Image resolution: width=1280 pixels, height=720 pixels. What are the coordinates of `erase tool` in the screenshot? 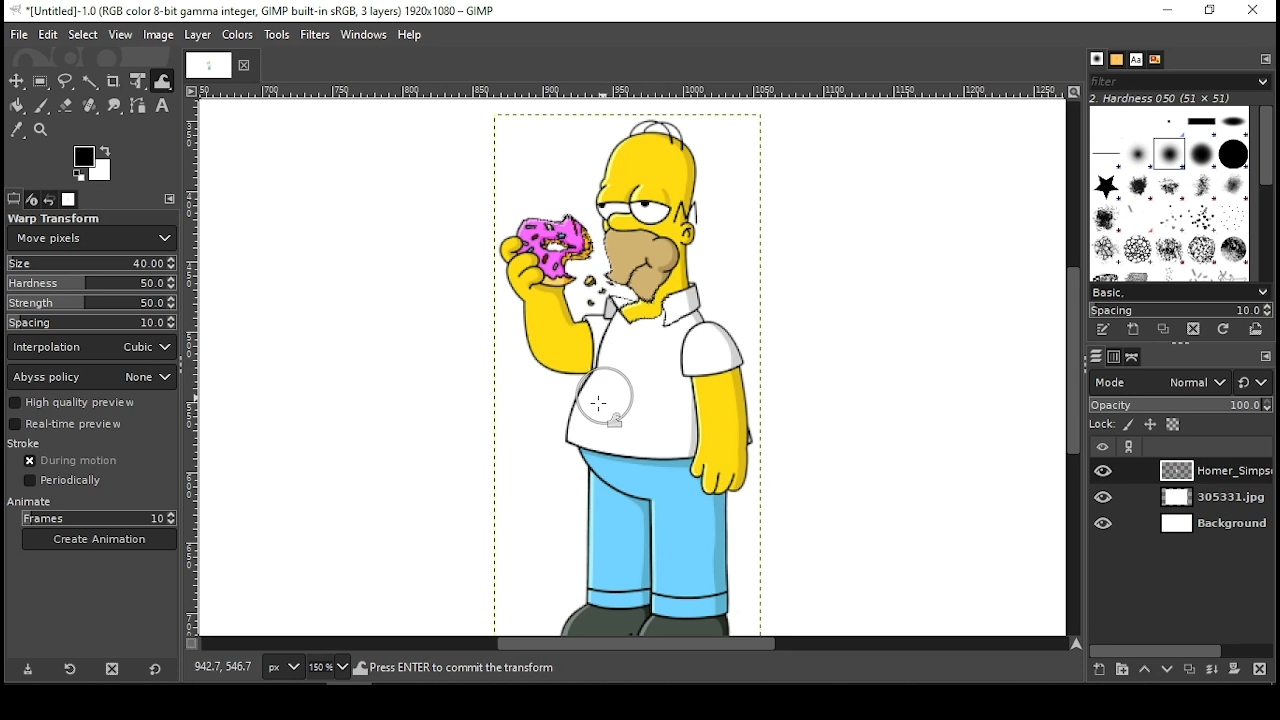 It's located at (68, 103).